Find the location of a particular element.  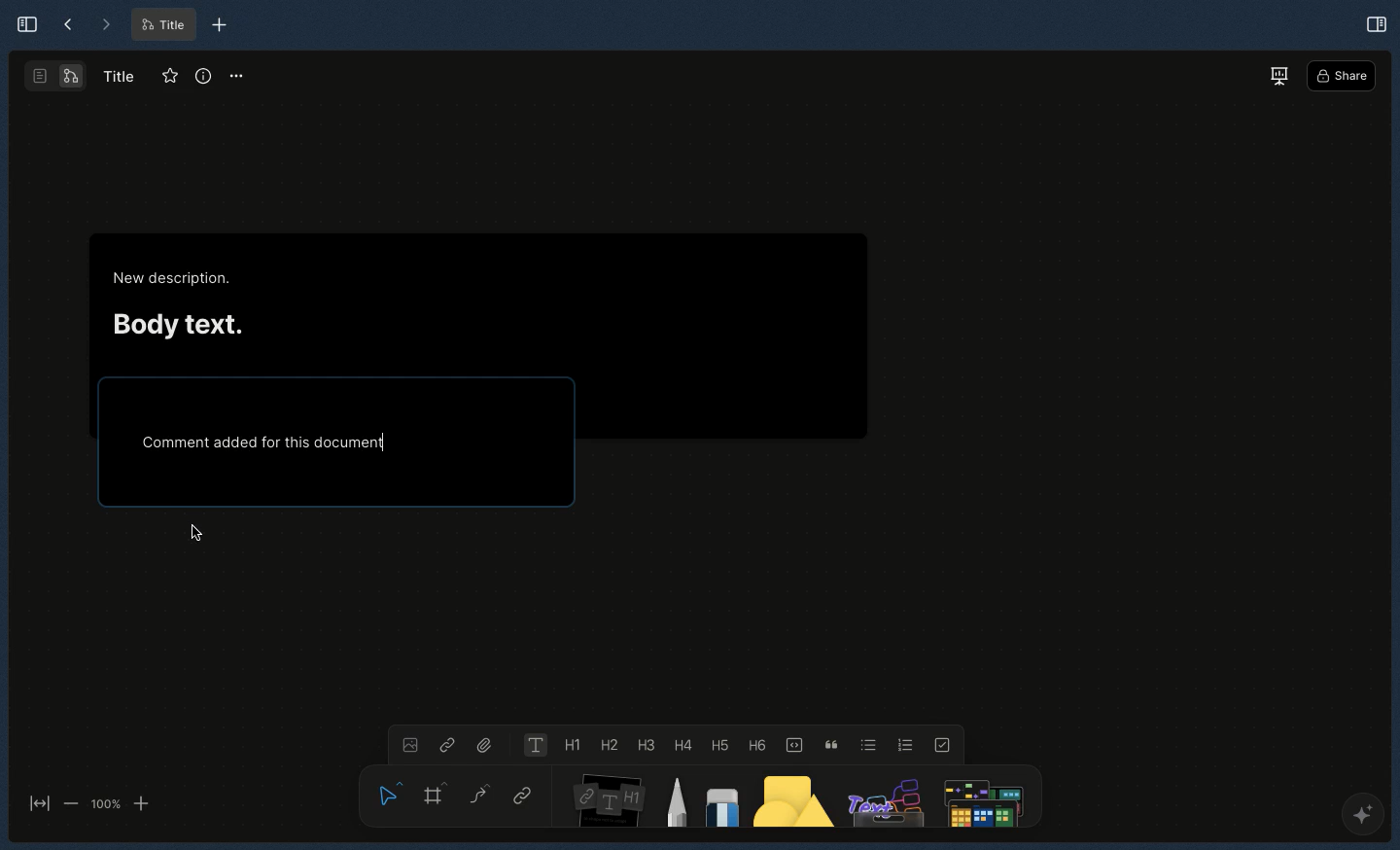

Second layout is located at coordinates (57, 76).